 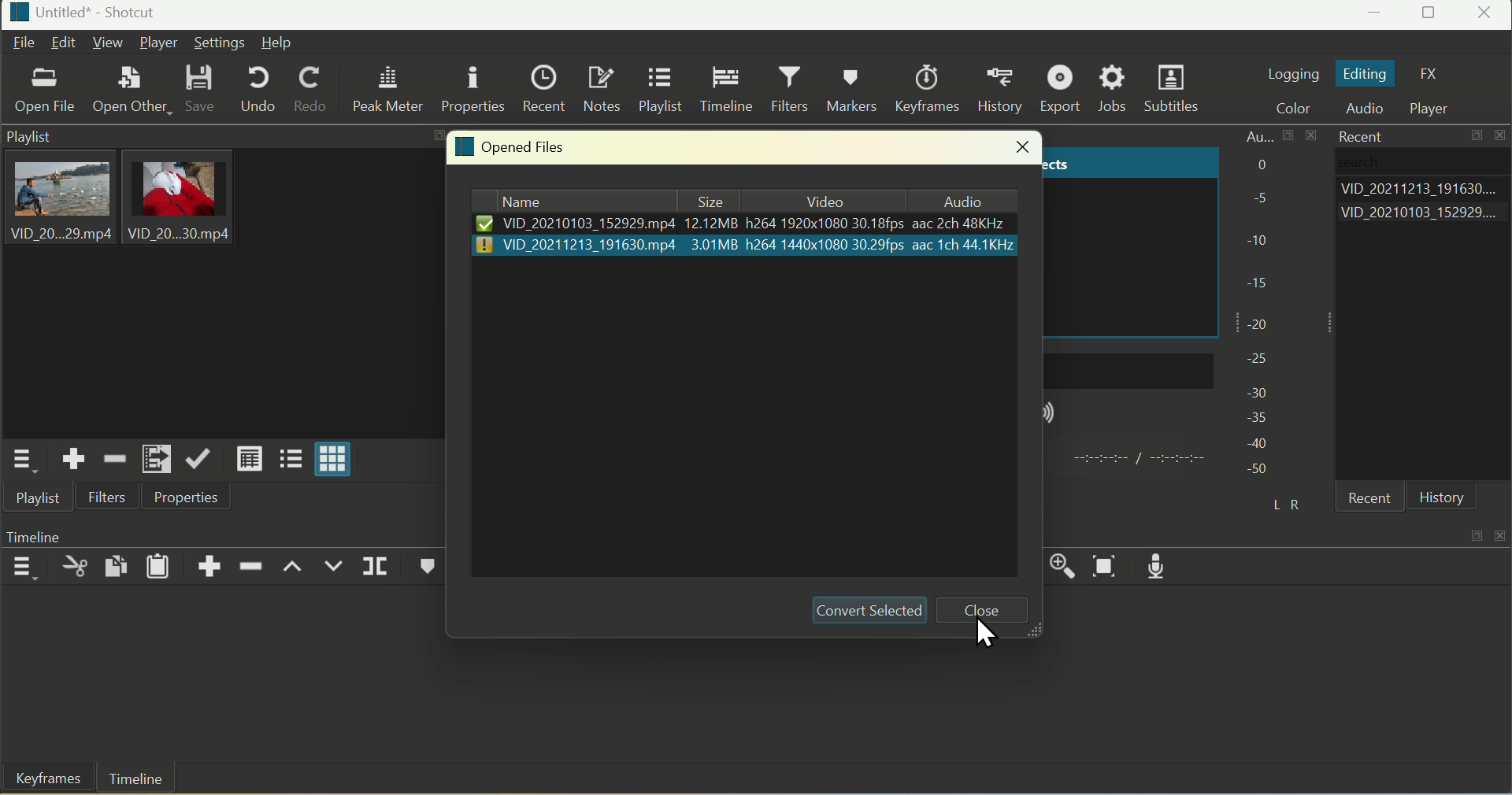 What do you see at coordinates (1019, 149) in the screenshot?
I see `close` at bounding box center [1019, 149].